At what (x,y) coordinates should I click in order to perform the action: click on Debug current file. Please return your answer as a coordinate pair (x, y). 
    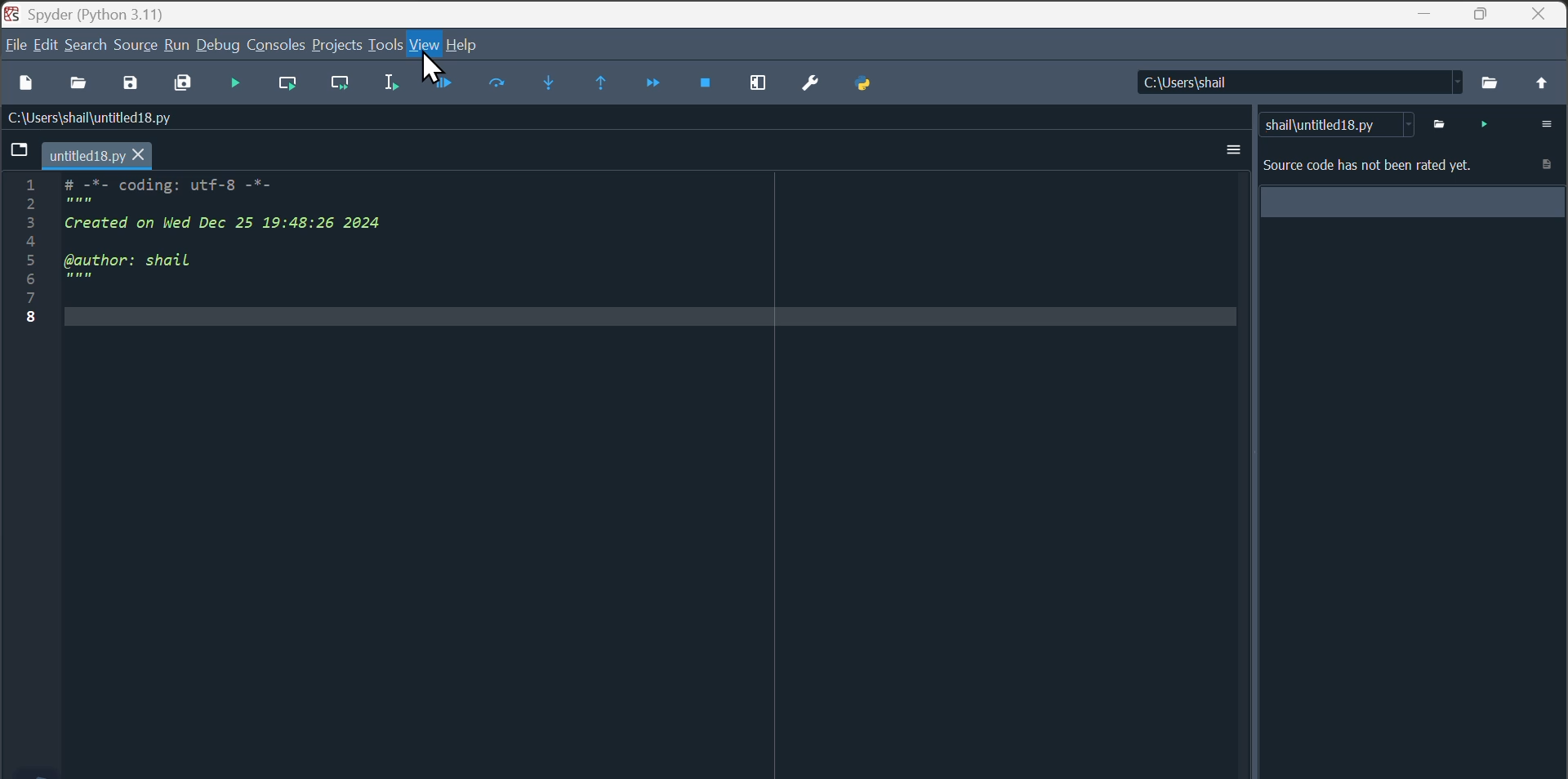
    Looking at the image, I should click on (446, 86).